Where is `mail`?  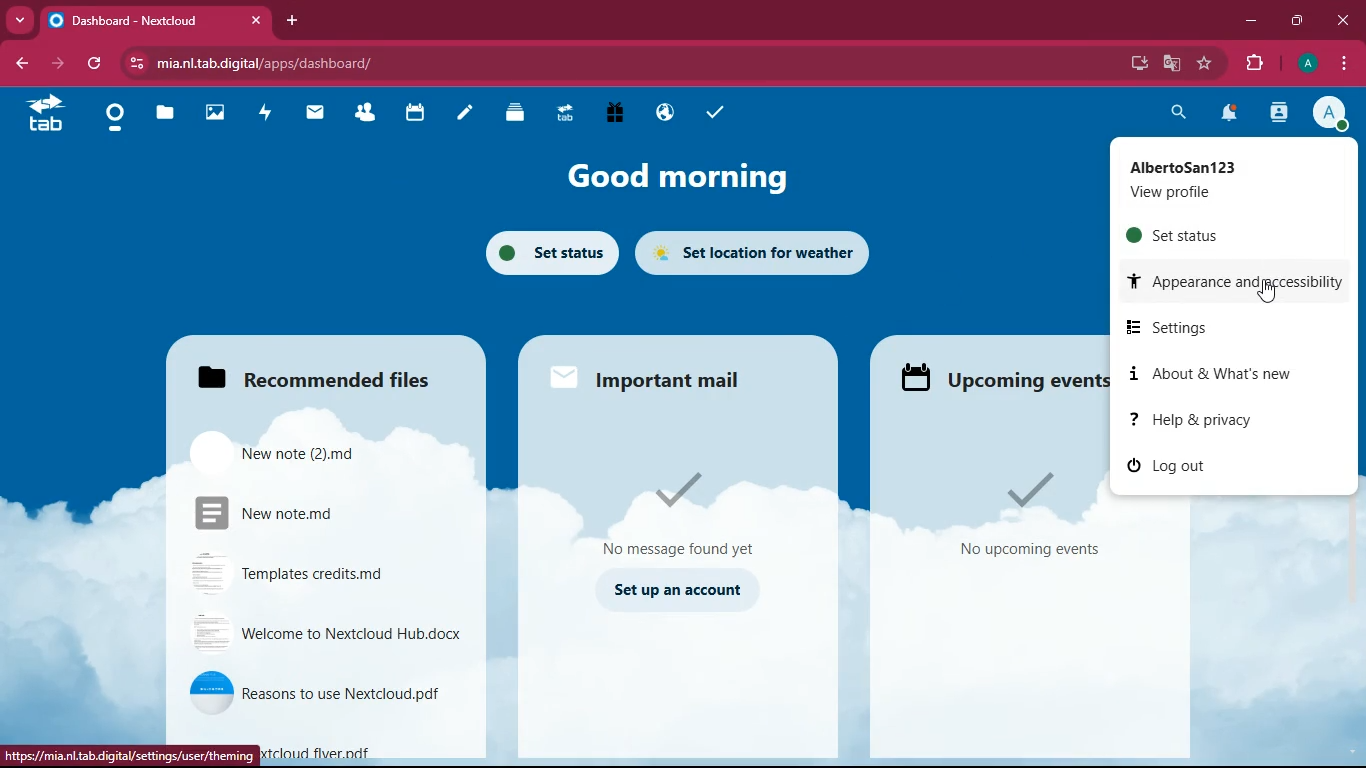
mail is located at coordinates (655, 376).